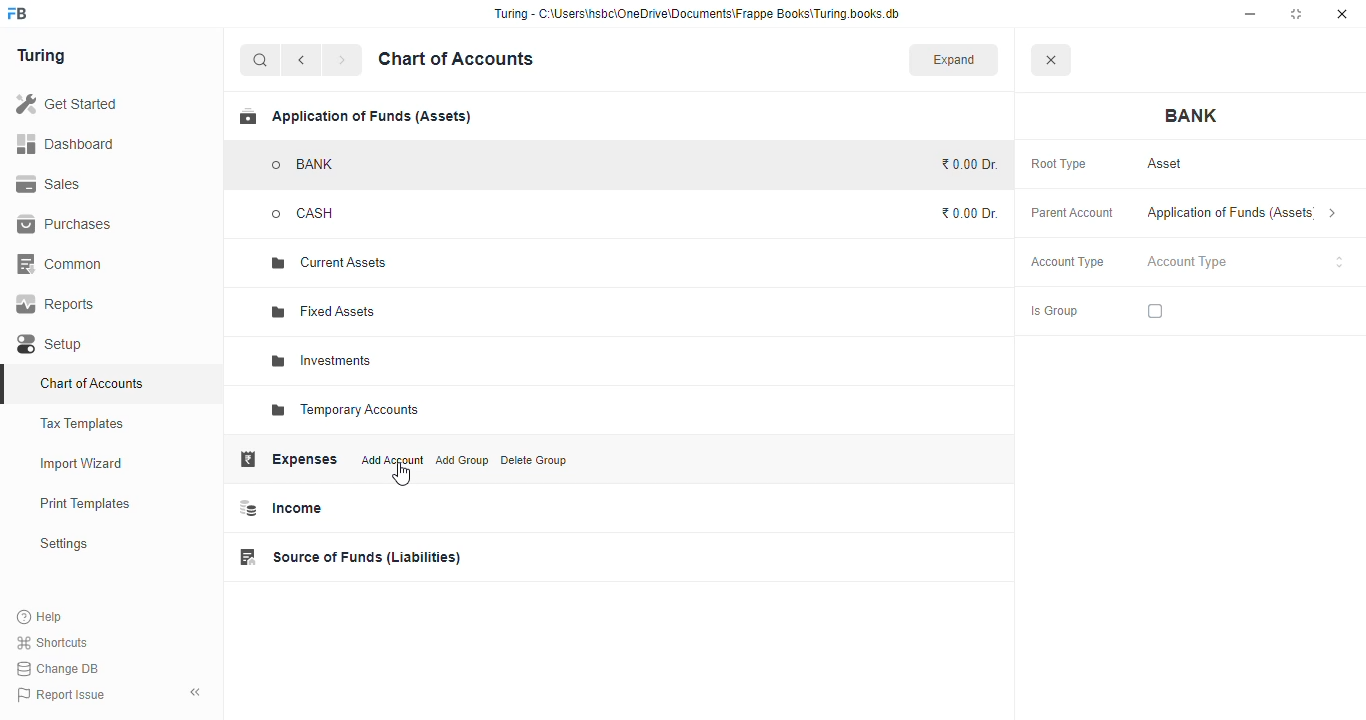  I want to click on application of funds (assets), so click(1242, 213).